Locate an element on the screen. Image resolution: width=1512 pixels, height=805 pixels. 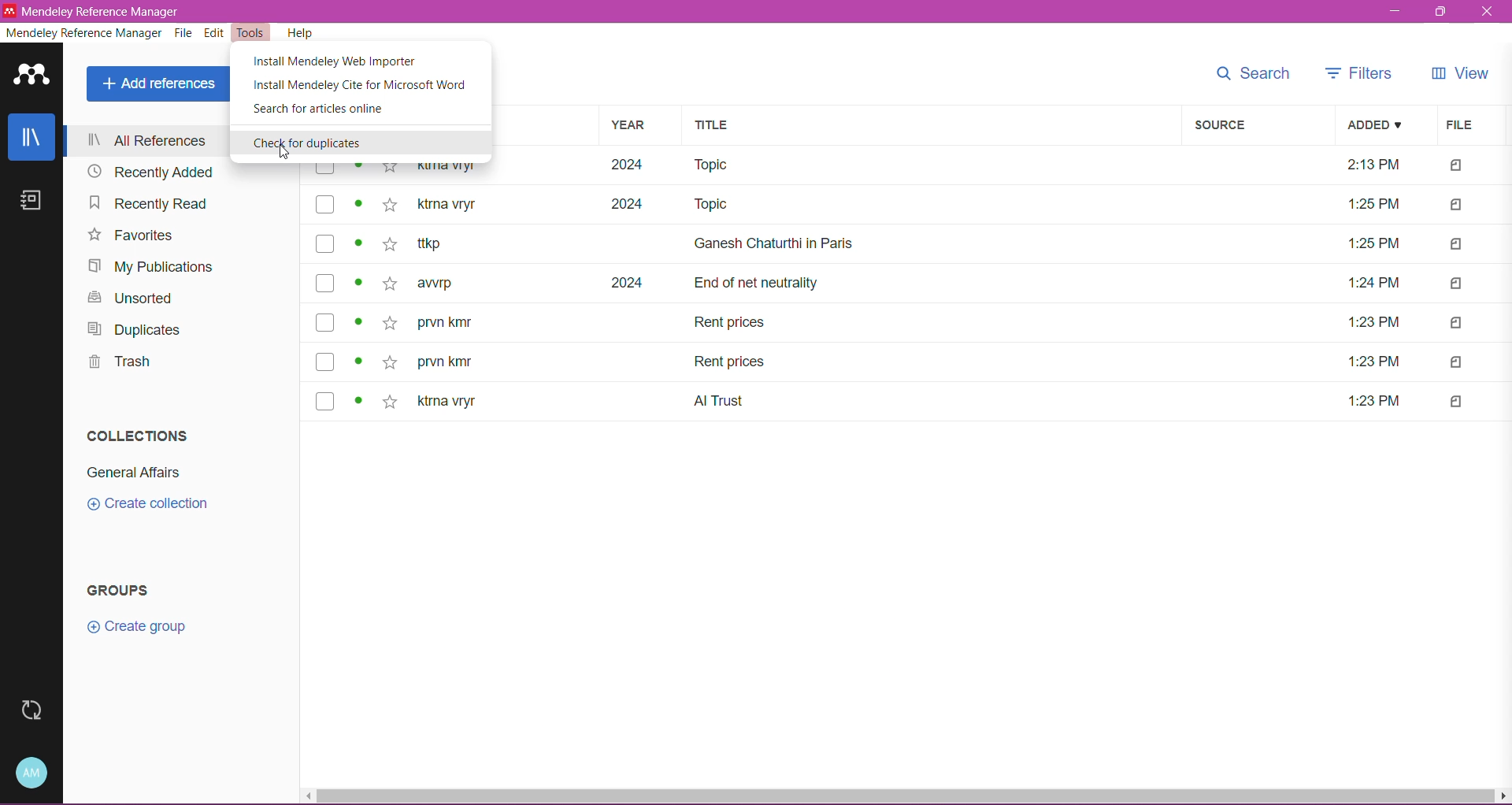
maximize is located at coordinates (1444, 13).